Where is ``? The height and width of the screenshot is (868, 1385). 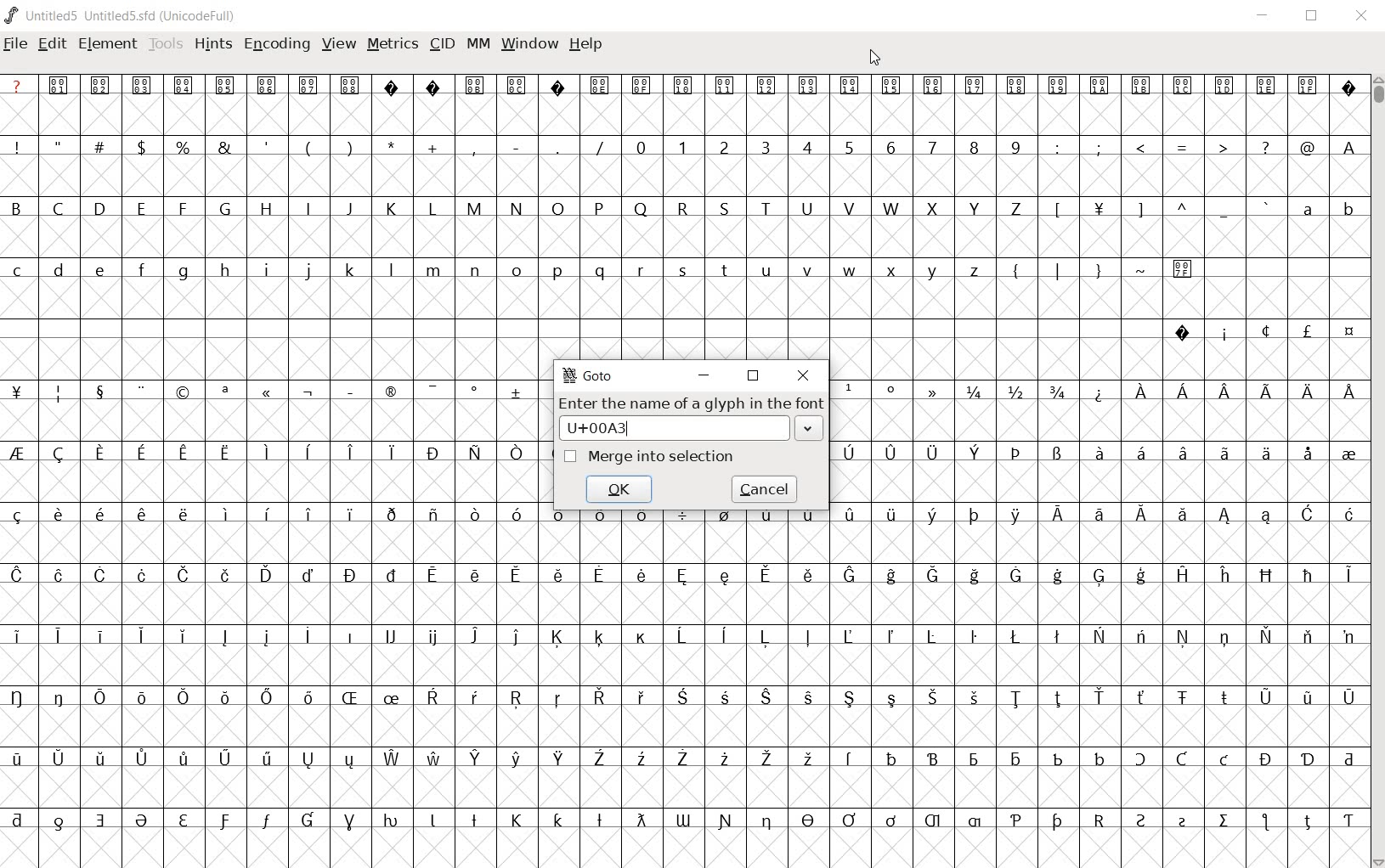  is located at coordinates (352, 86).